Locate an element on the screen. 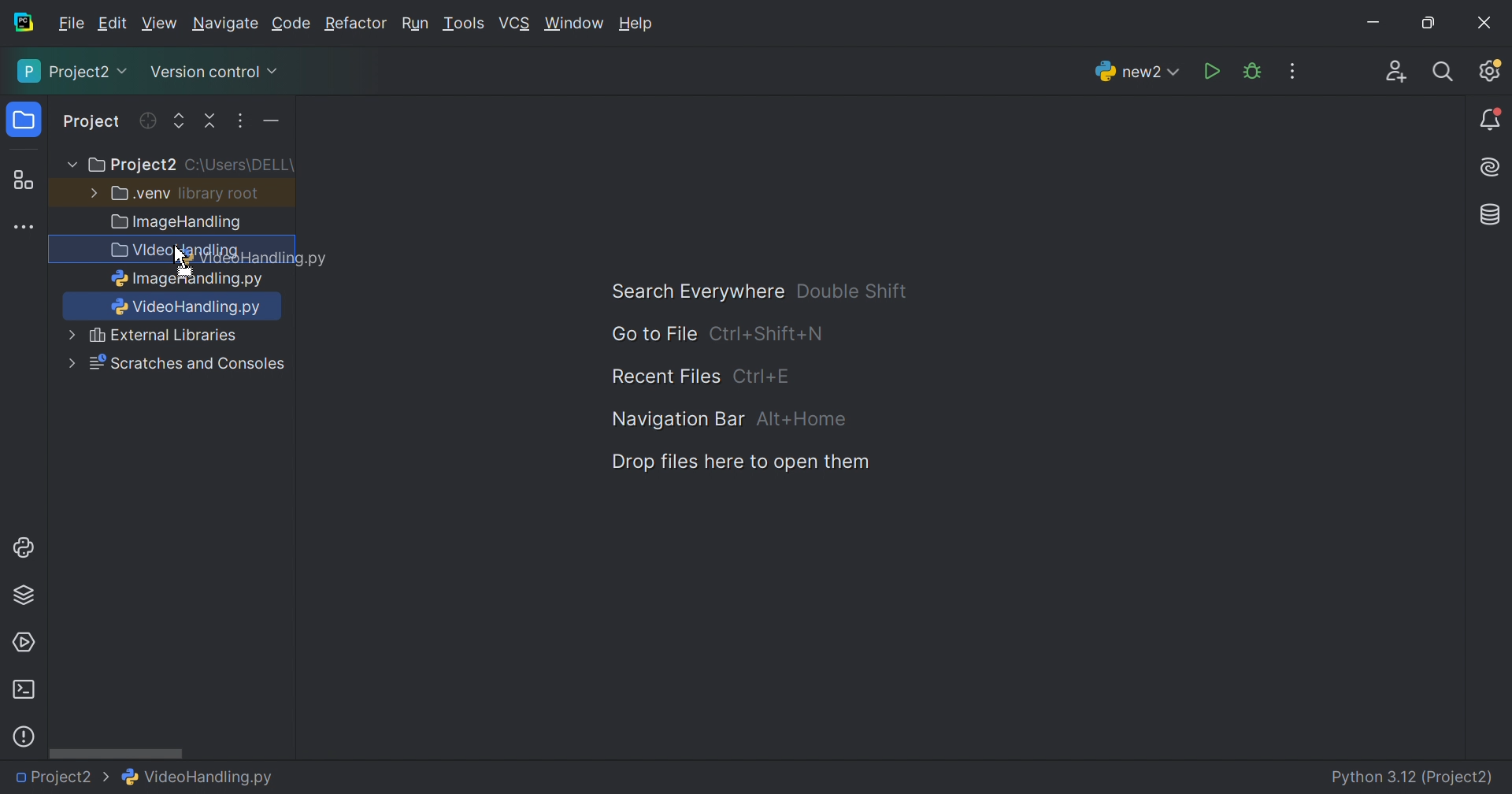  VideiHandling.py is located at coordinates (189, 306).